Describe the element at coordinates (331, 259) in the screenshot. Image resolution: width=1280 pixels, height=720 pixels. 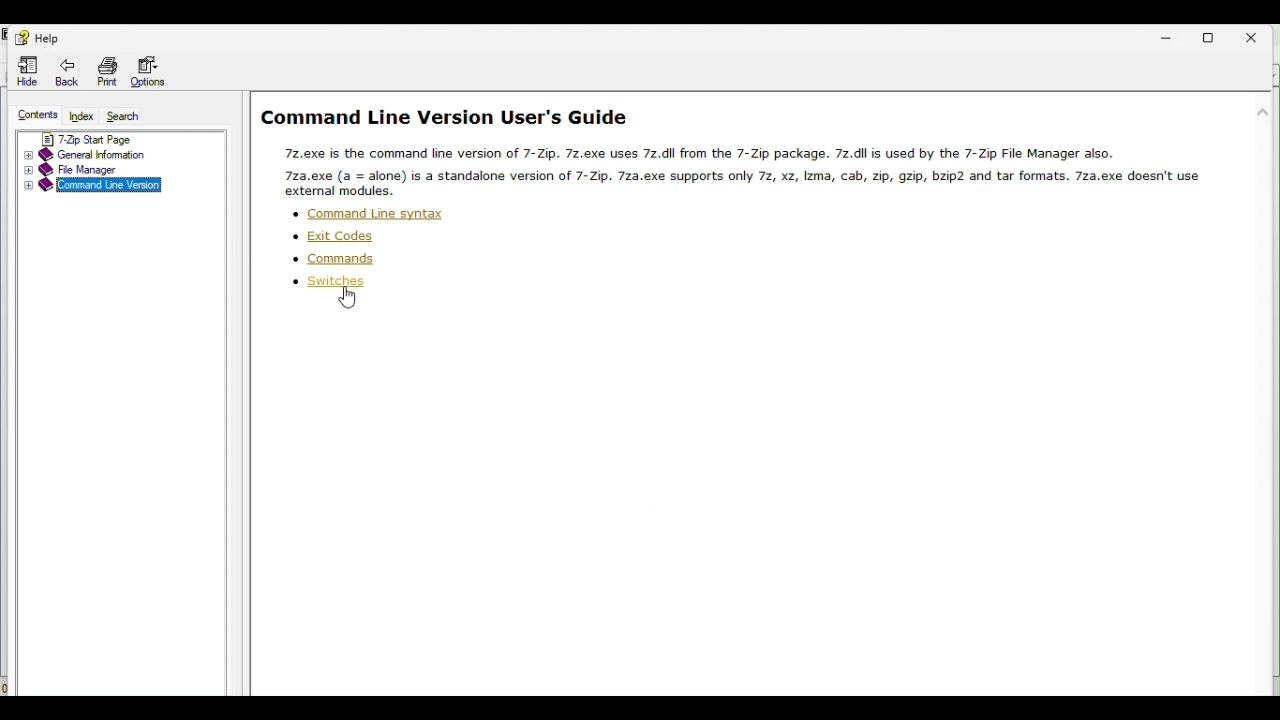
I see `commands` at that location.